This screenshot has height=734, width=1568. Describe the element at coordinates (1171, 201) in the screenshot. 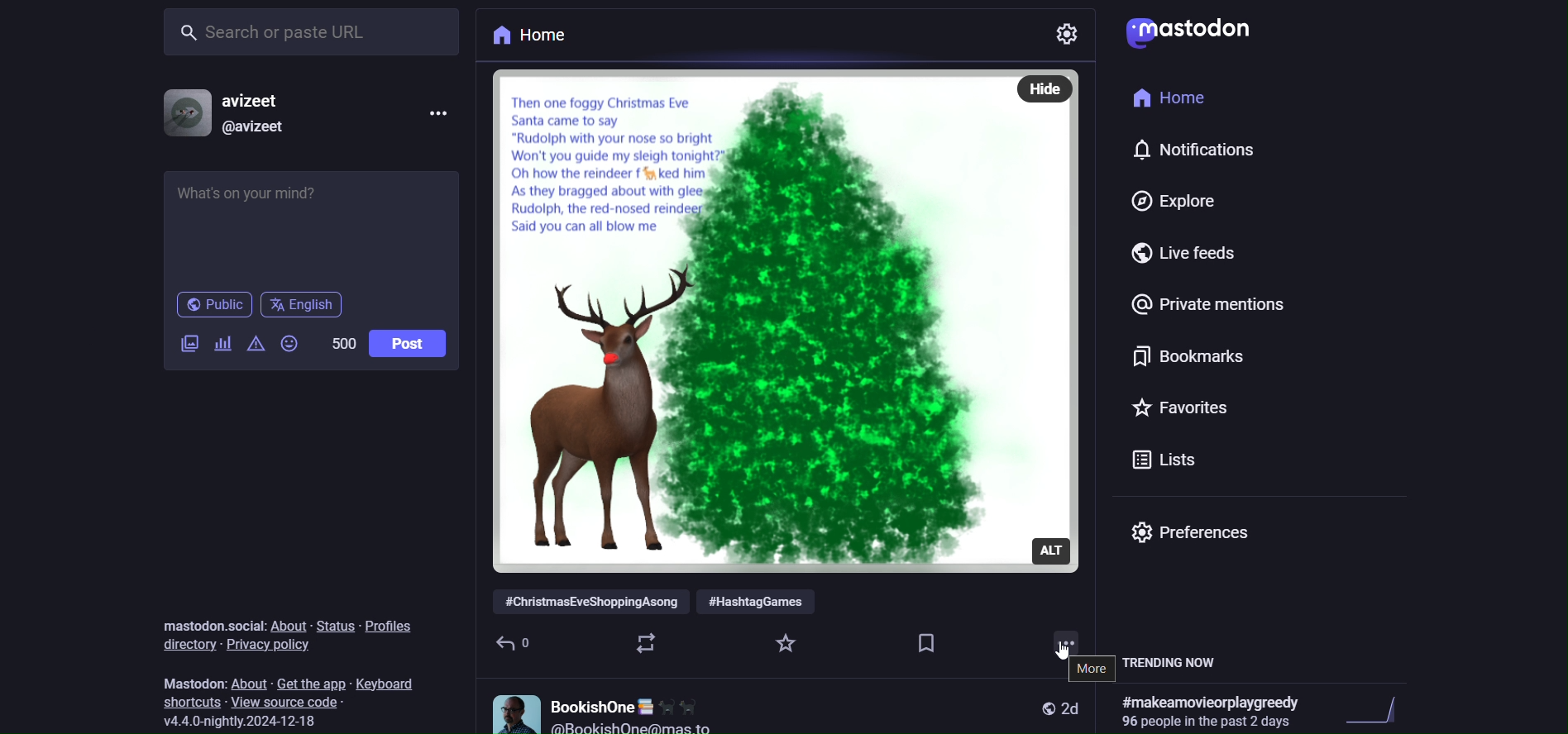

I see `explore` at that location.